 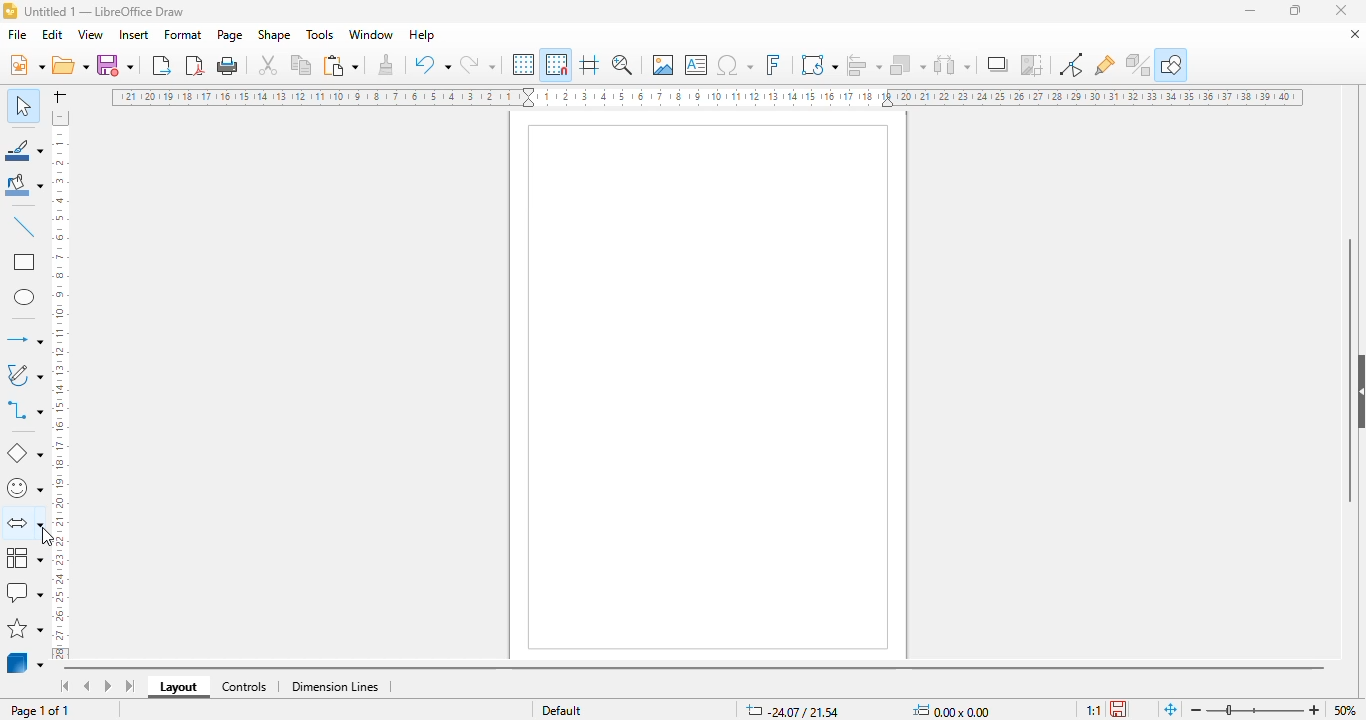 What do you see at coordinates (17, 34) in the screenshot?
I see `file` at bounding box center [17, 34].